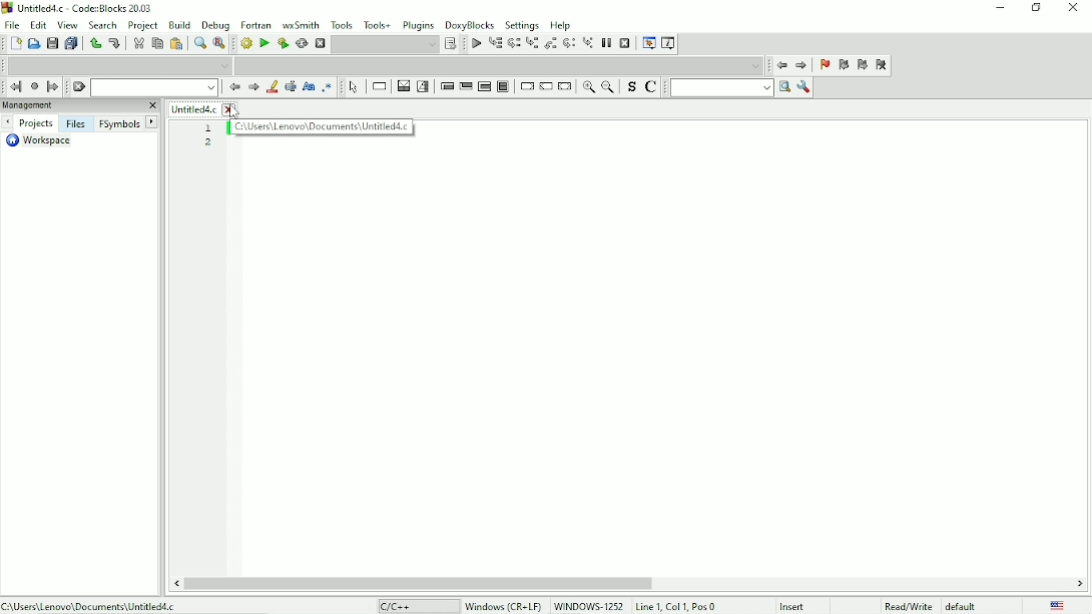 Image resolution: width=1092 pixels, height=614 pixels. Describe the element at coordinates (78, 87) in the screenshot. I see `Clear` at that location.